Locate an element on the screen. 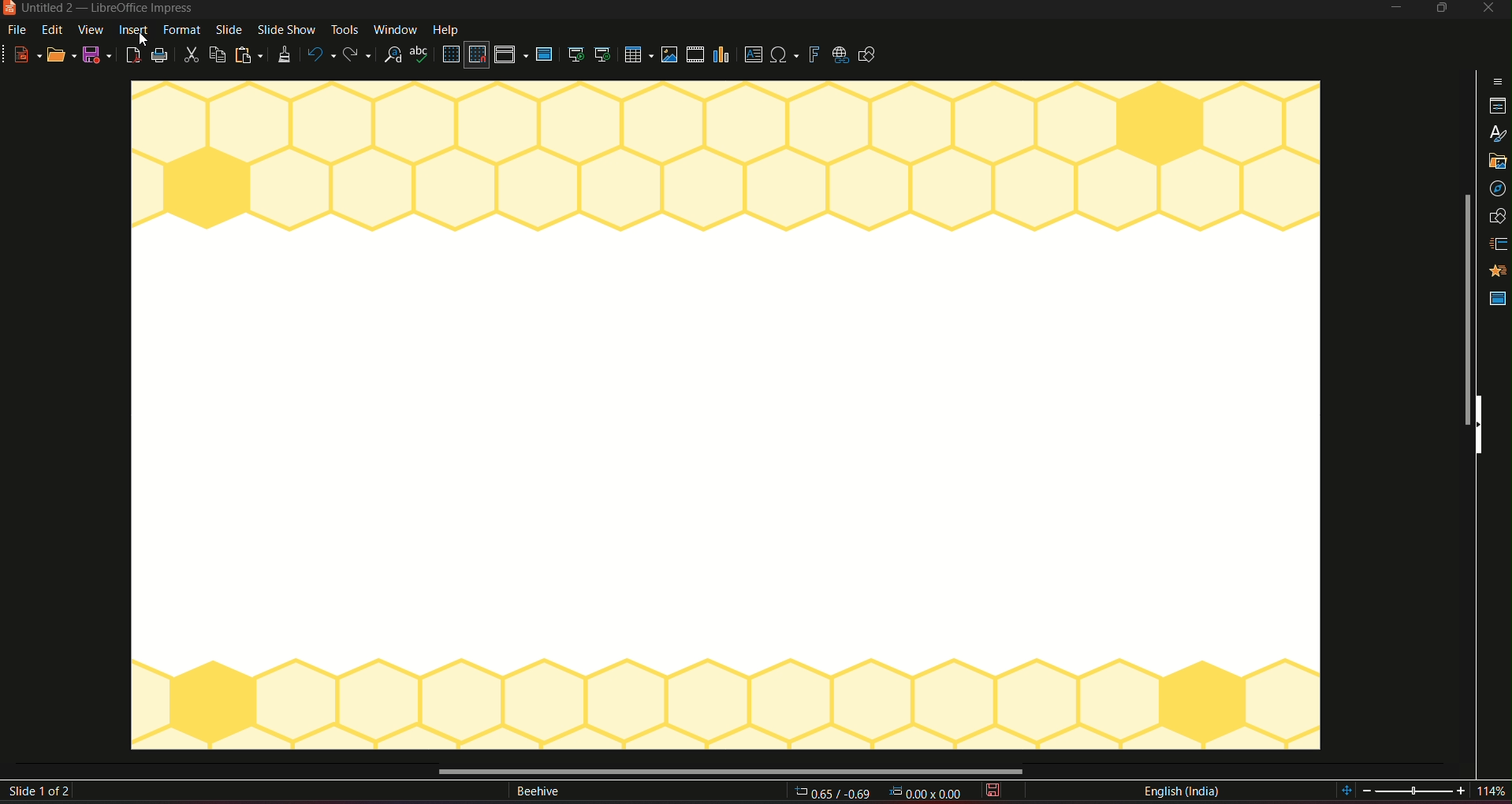 Image resolution: width=1512 pixels, height=804 pixels. sidebar settings is located at coordinates (1497, 80).